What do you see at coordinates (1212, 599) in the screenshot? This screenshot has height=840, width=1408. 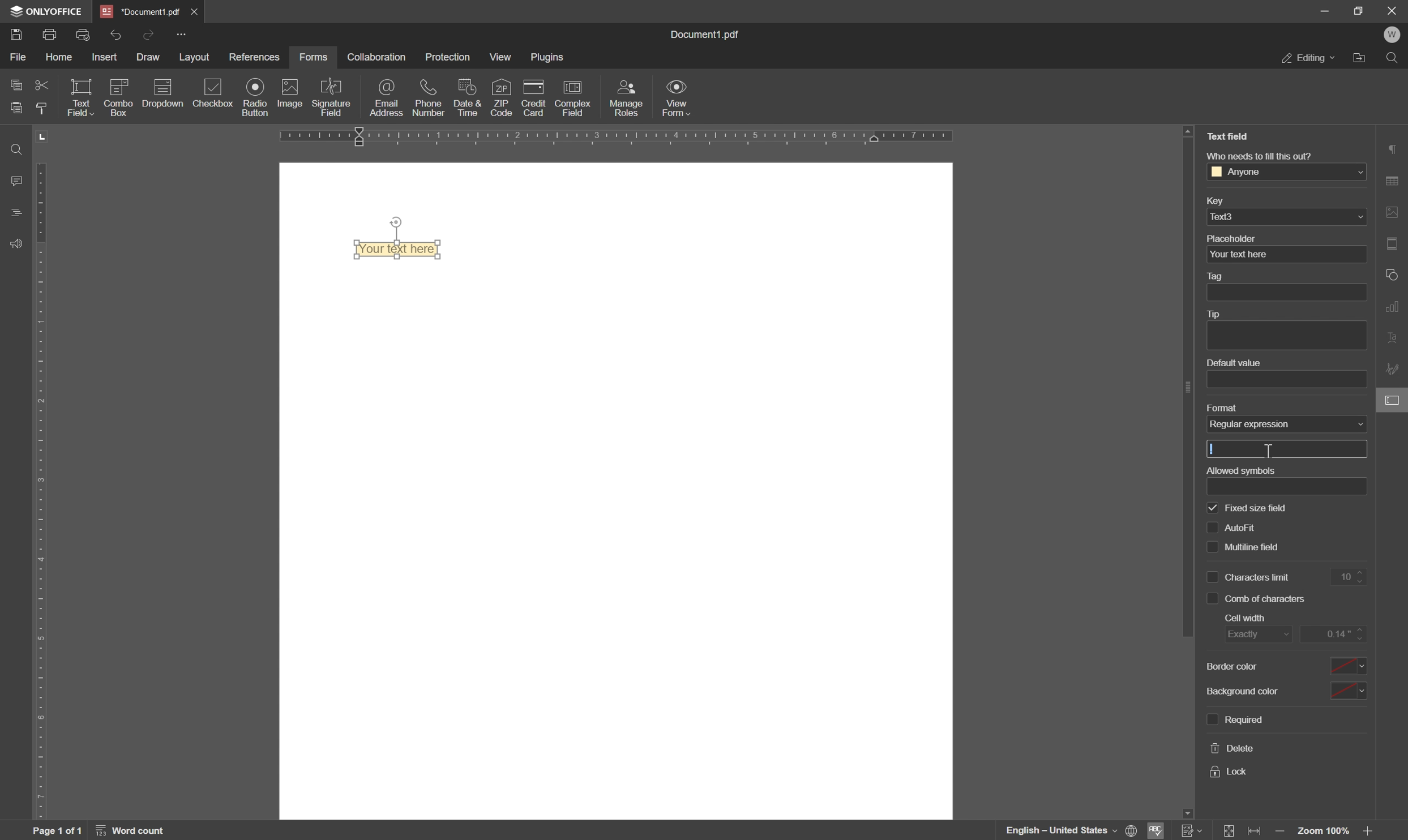 I see `check box` at bounding box center [1212, 599].